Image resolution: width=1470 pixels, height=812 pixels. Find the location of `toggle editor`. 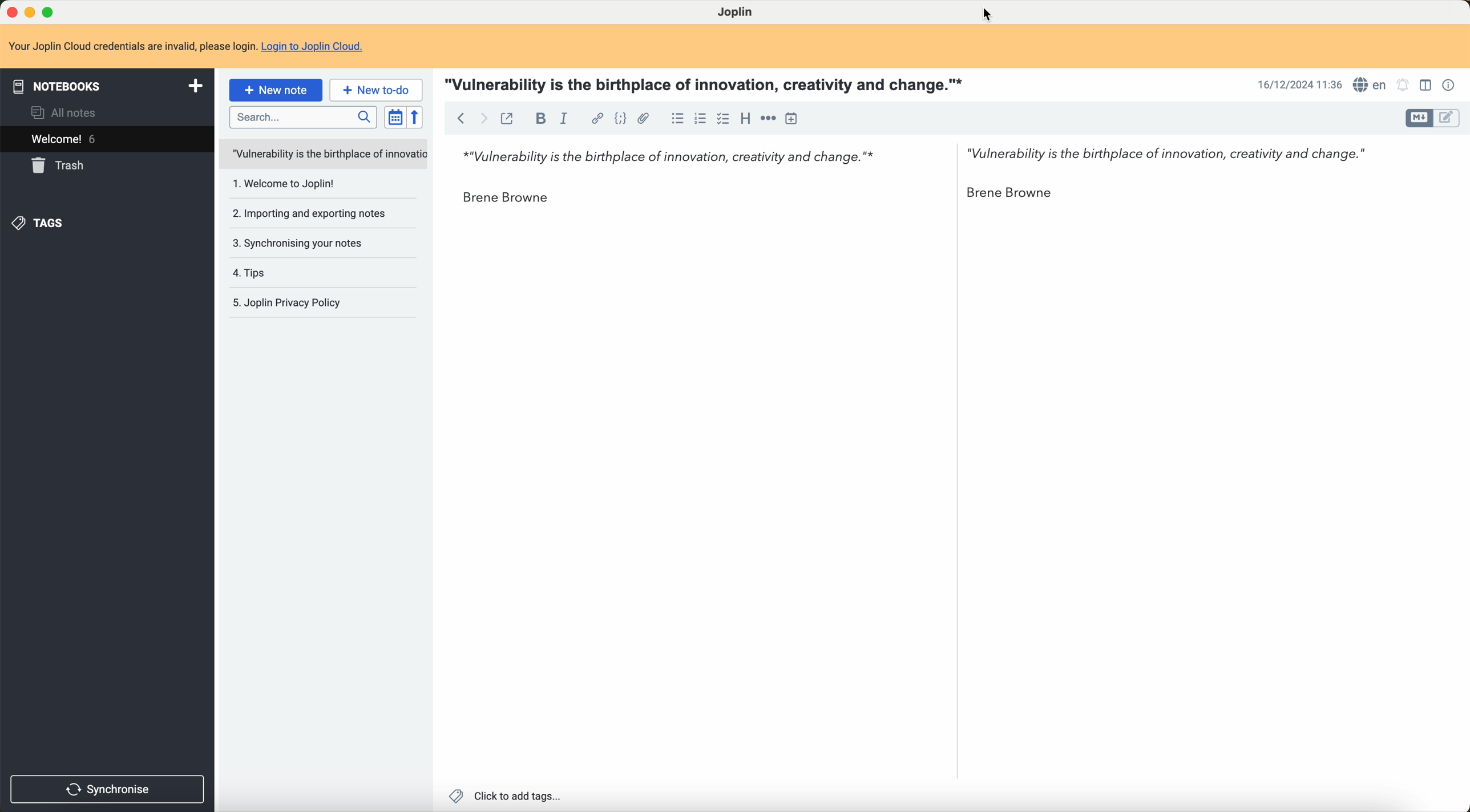

toggle editor is located at coordinates (1419, 118).